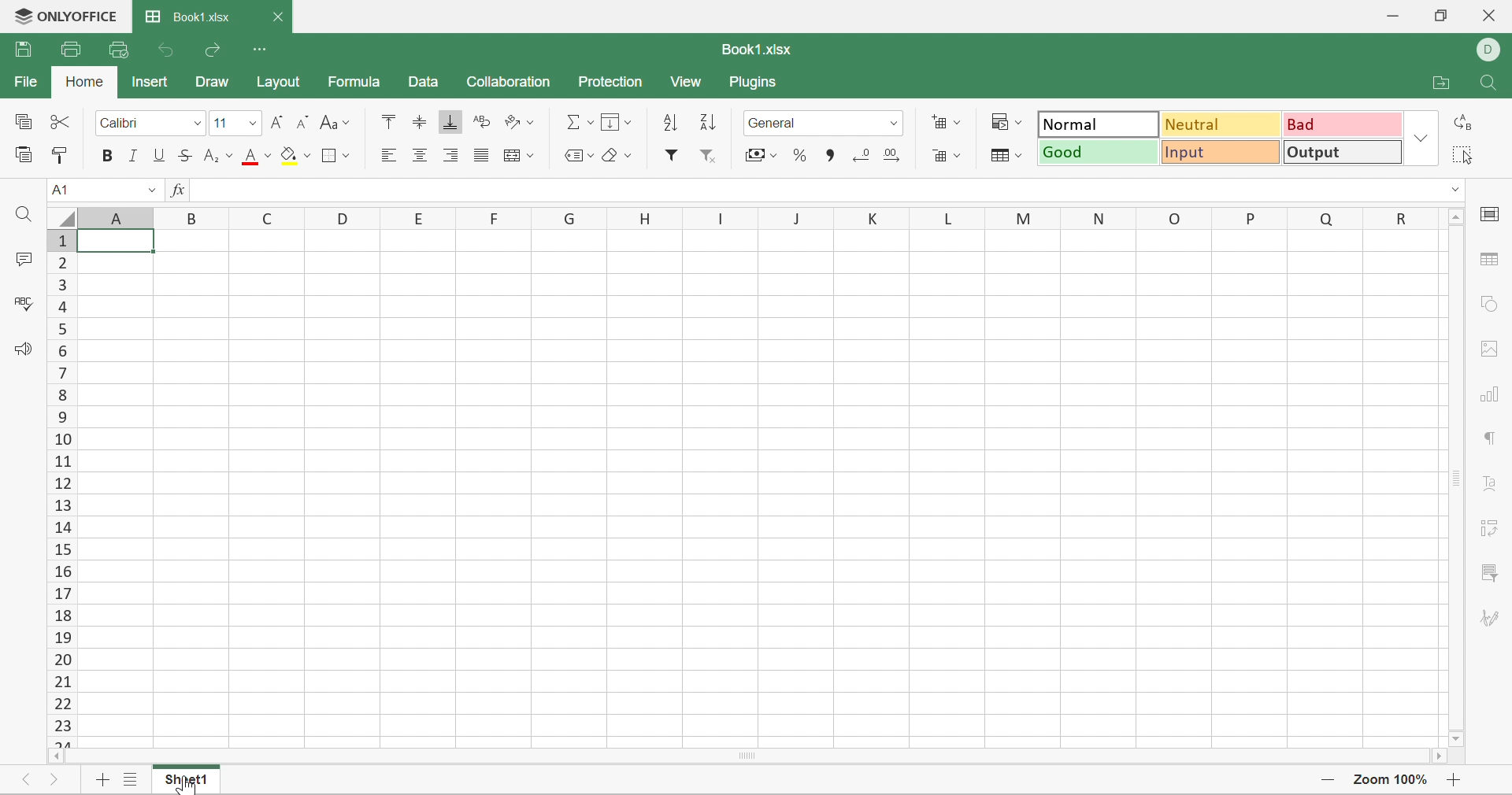  Describe the element at coordinates (134, 124) in the screenshot. I see `Calibri` at that location.